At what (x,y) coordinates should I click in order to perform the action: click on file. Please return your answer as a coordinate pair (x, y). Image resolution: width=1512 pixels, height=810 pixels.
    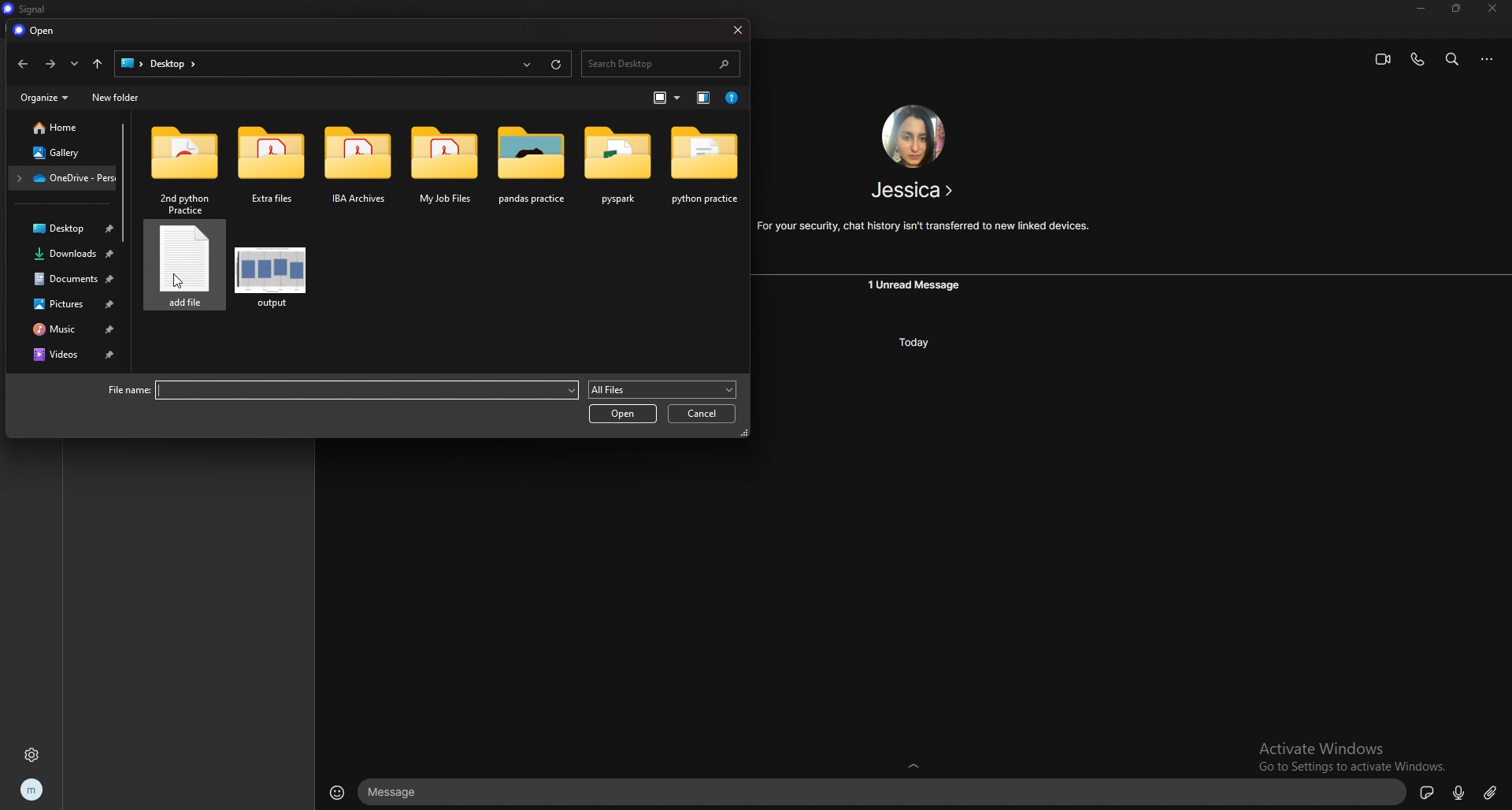
    Looking at the image, I should click on (272, 270).